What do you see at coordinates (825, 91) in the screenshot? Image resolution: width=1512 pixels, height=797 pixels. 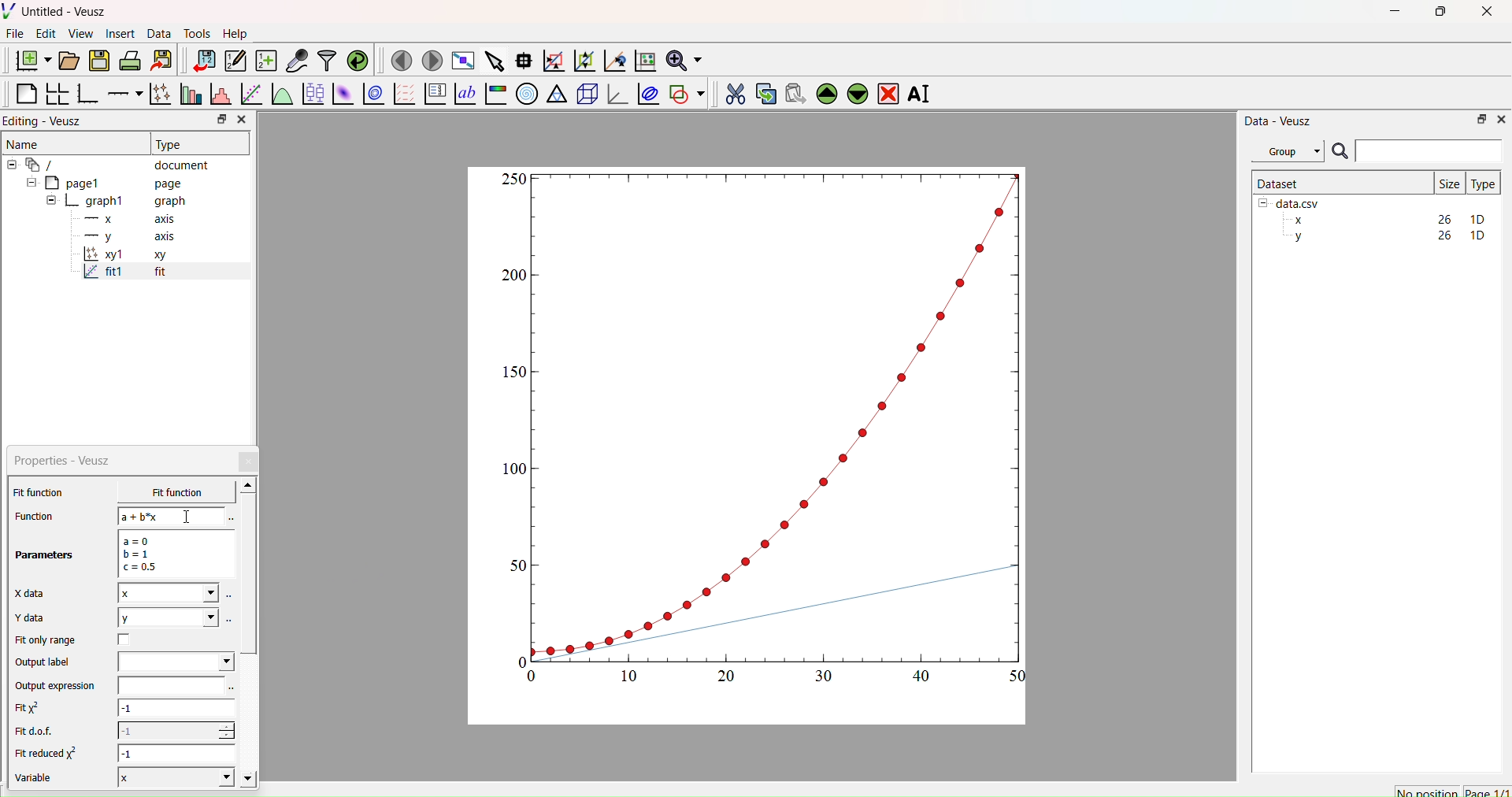 I see `Up` at bounding box center [825, 91].